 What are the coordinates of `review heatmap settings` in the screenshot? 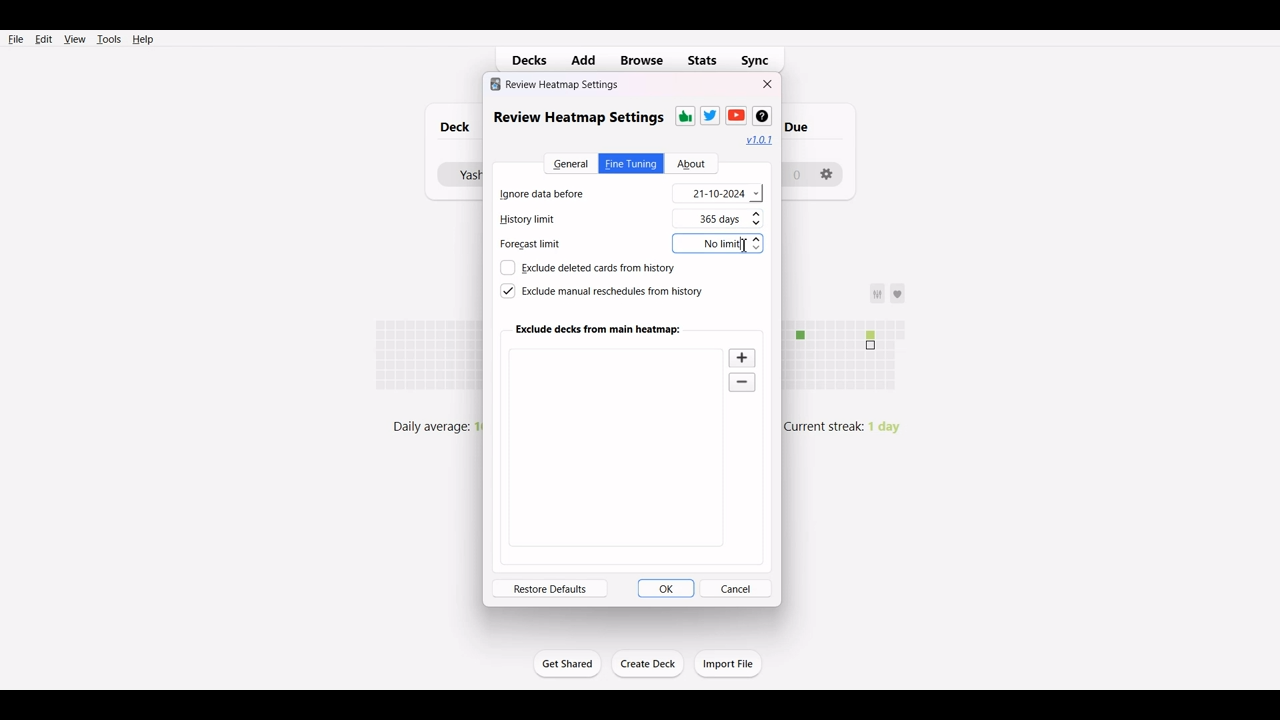 It's located at (555, 84).